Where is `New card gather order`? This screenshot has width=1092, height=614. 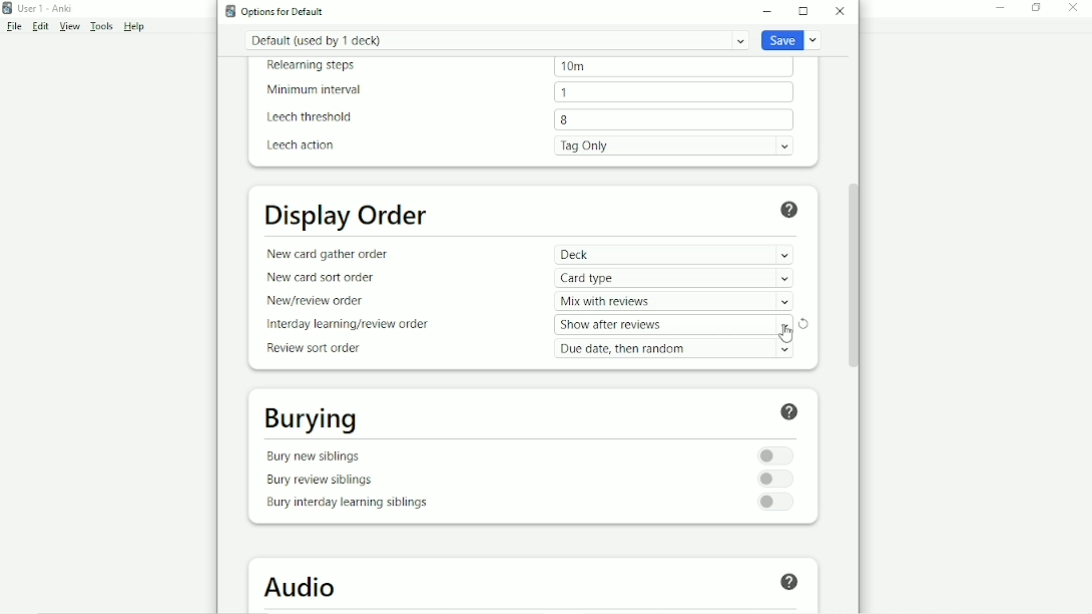
New card gather order is located at coordinates (326, 254).